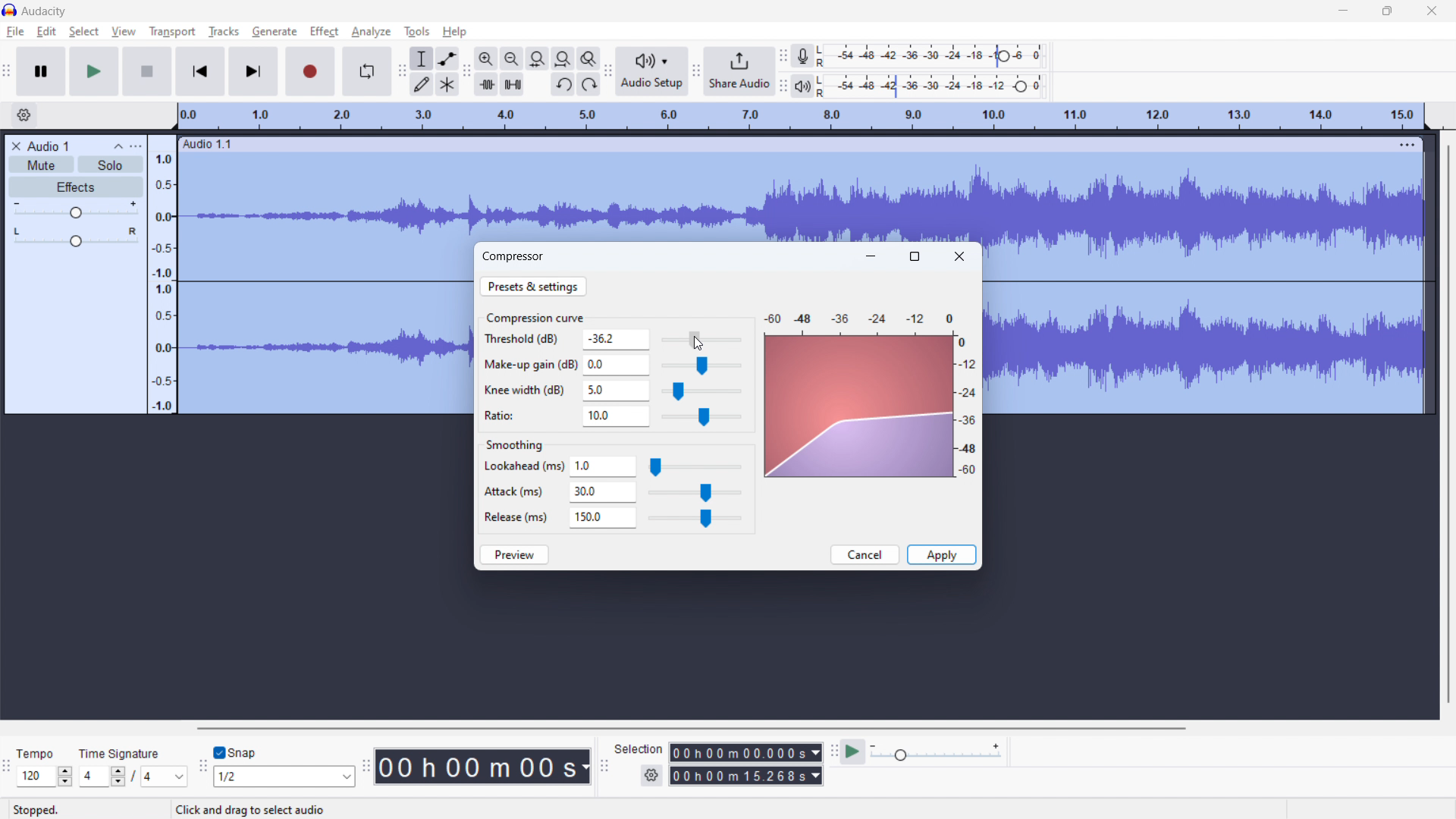 The width and height of the screenshot is (1456, 819). I want to click on Release (ms), so click(516, 516).